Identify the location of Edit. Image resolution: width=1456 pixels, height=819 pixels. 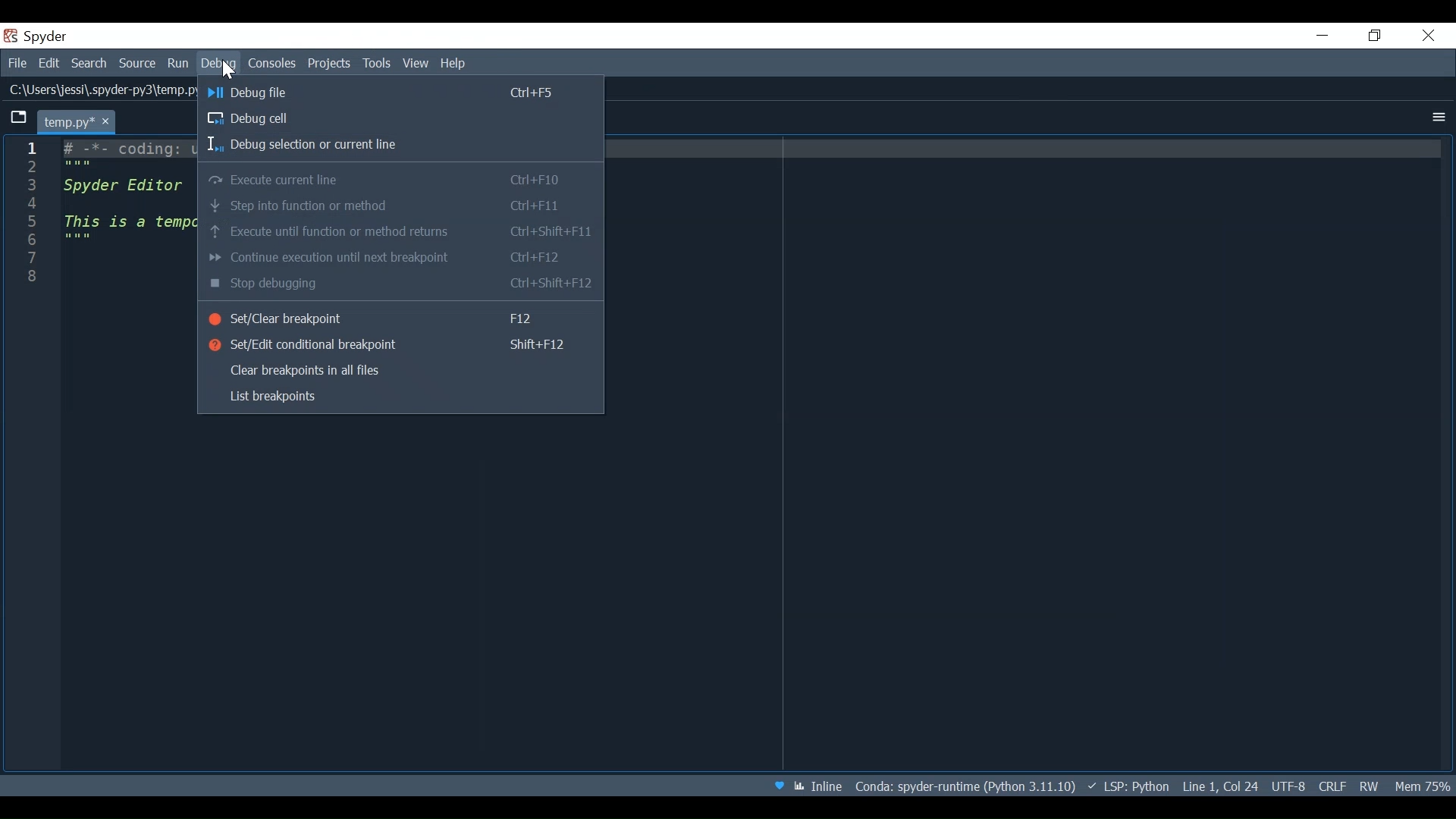
(52, 64).